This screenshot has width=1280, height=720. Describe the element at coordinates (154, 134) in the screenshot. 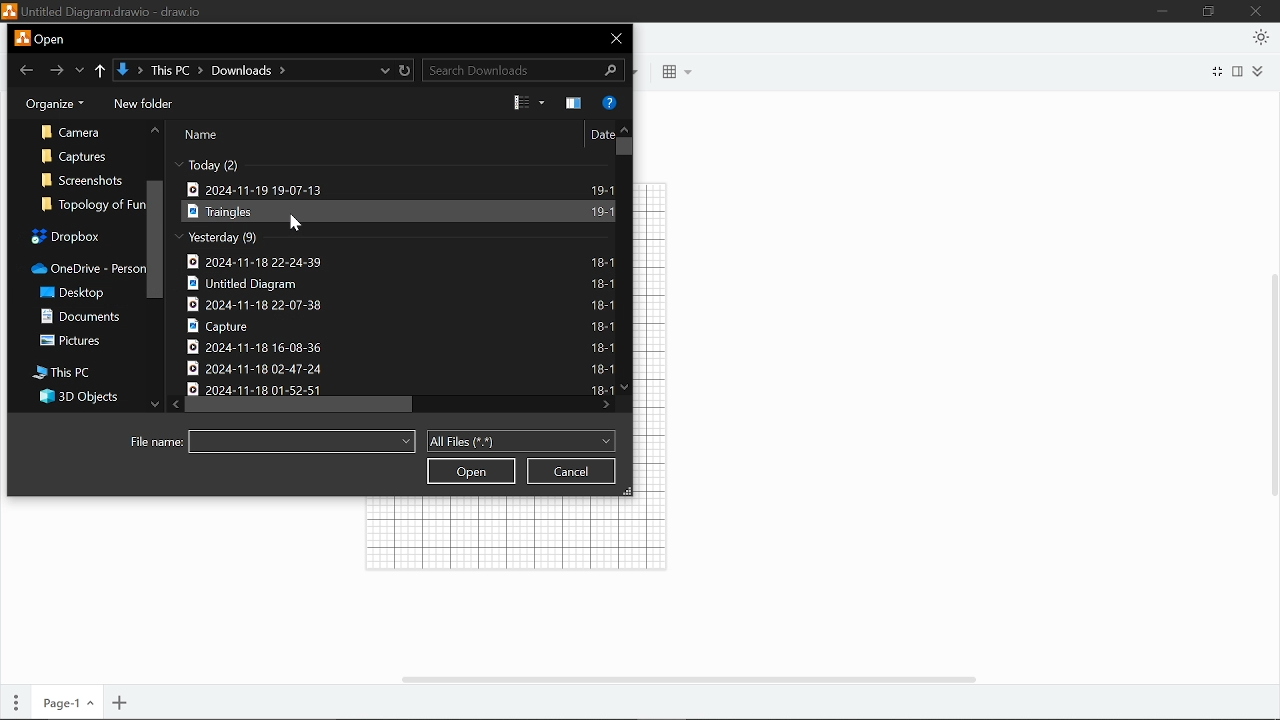

I see `Move Up ` at that location.